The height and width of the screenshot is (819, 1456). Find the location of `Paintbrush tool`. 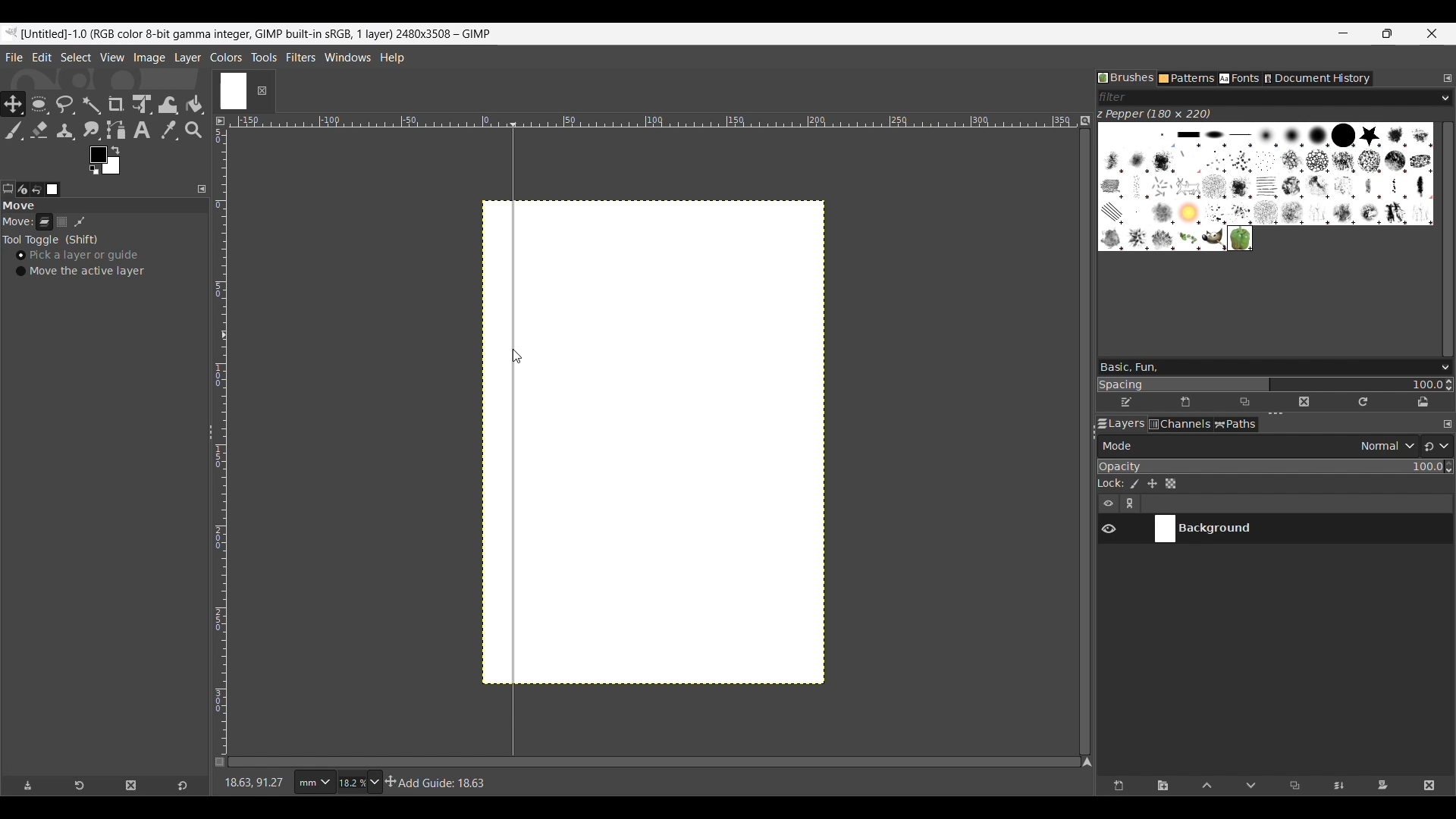

Paintbrush tool is located at coordinates (11, 130).